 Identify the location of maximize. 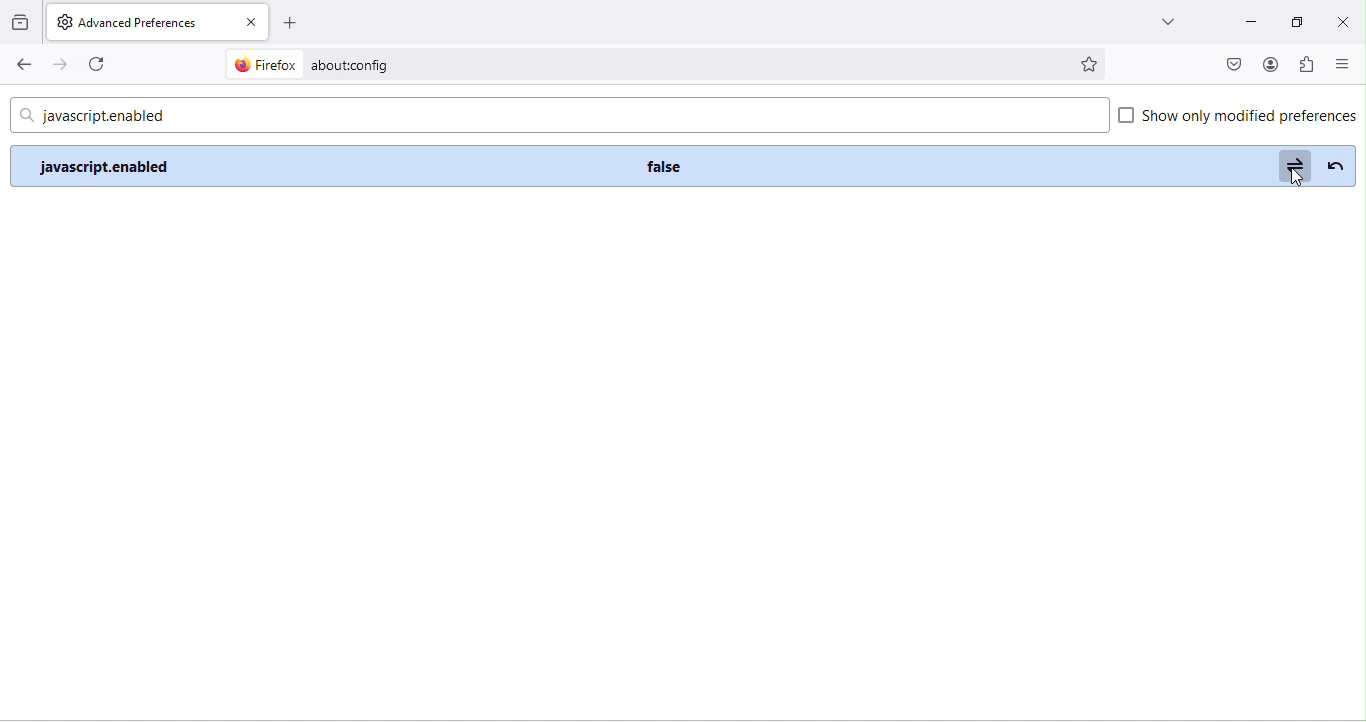
(1301, 22).